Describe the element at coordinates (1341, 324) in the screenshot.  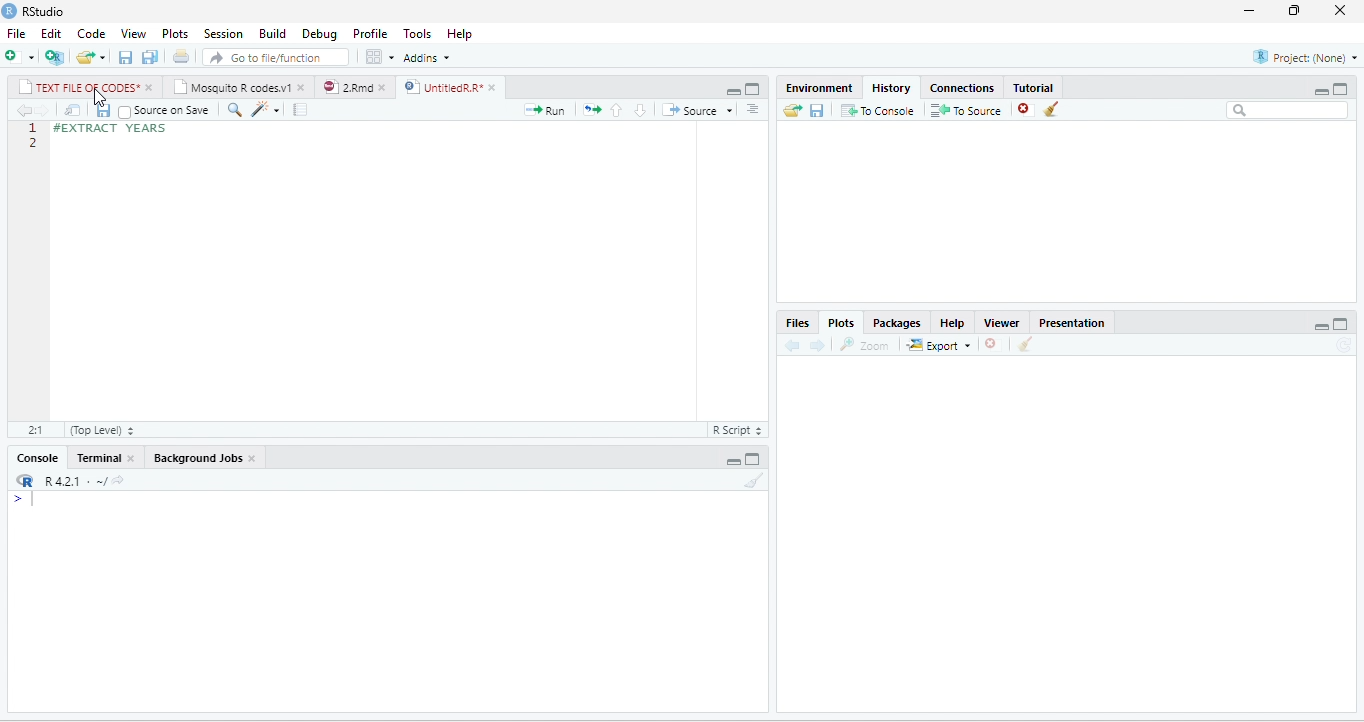
I see `maximize` at that location.